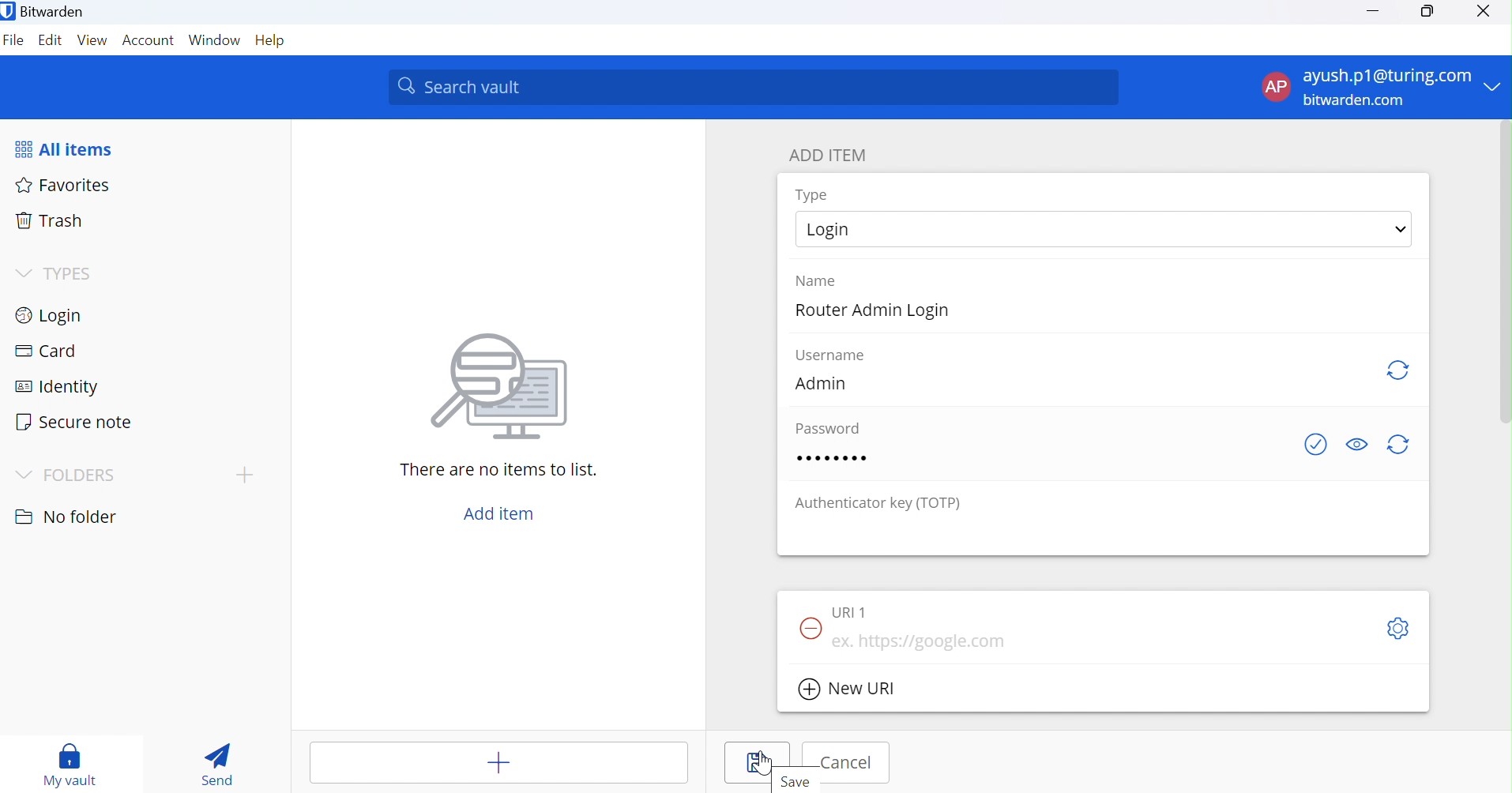 This screenshot has height=793, width=1512. Describe the element at coordinates (850, 613) in the screenshot. I see `URI 1` at that location.